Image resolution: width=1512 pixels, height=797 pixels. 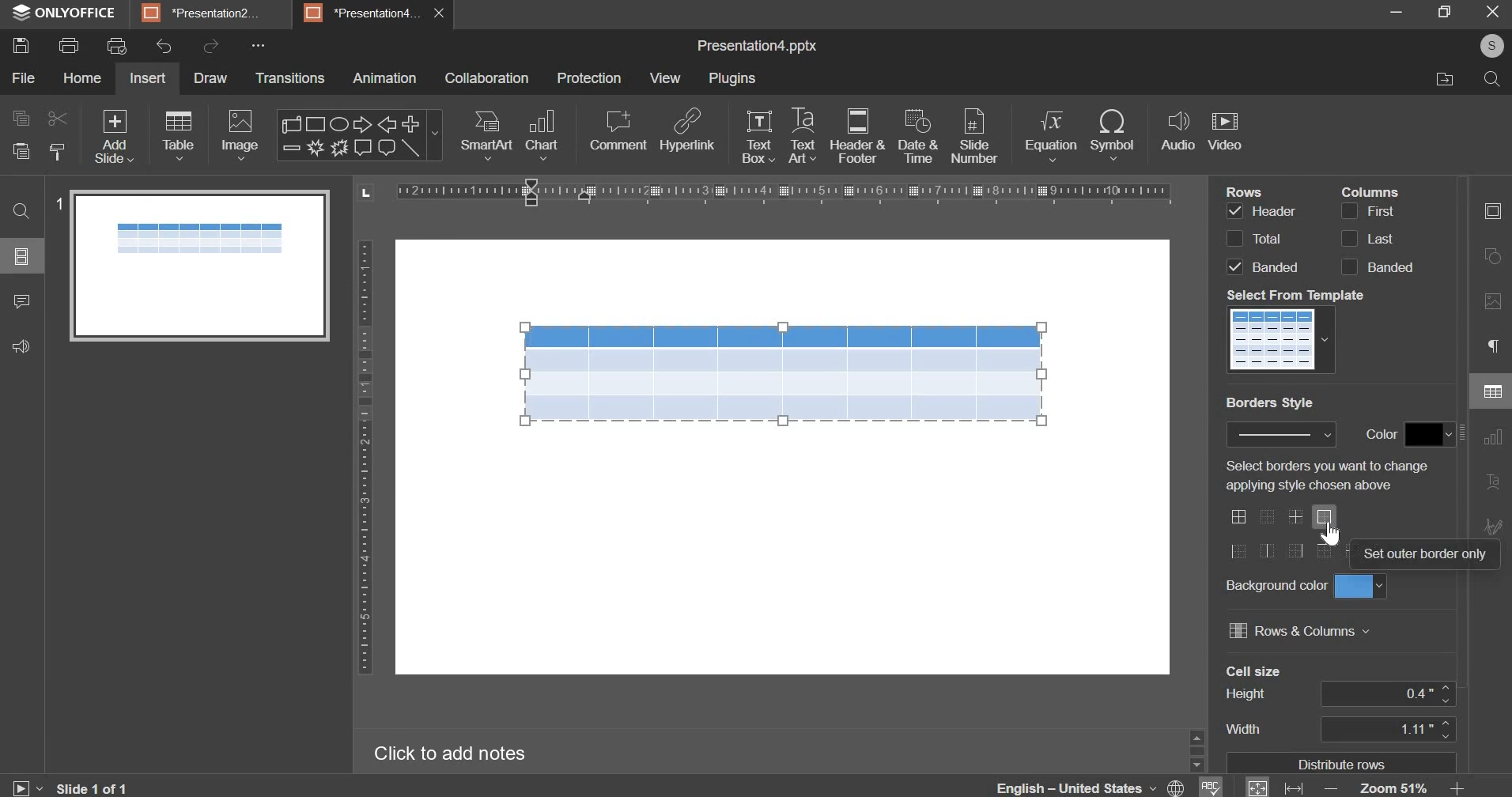 What do you see at coordinates (1495, 211) in the screenshot?
I see `slide settings` at bounding box center [1495, 211].